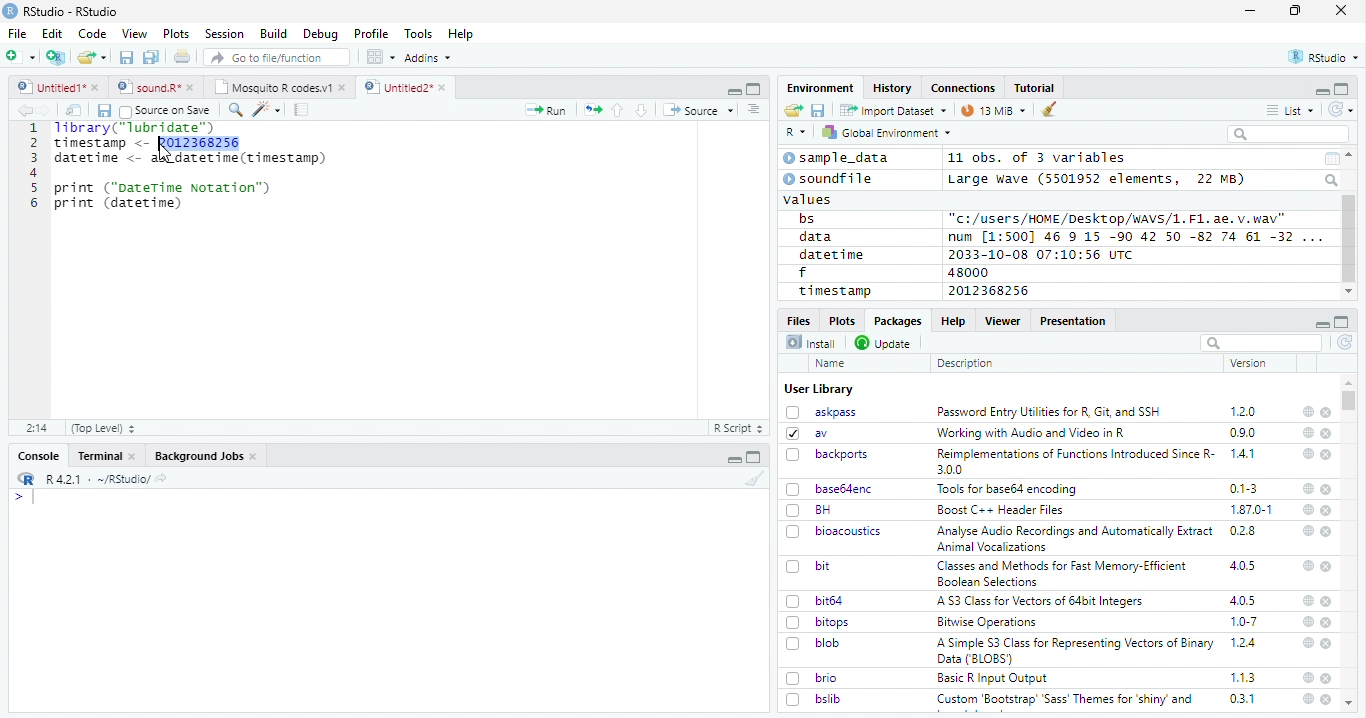 The width and height of the screenshot is (1366, 718). I want to click on File, so click(16, 33).